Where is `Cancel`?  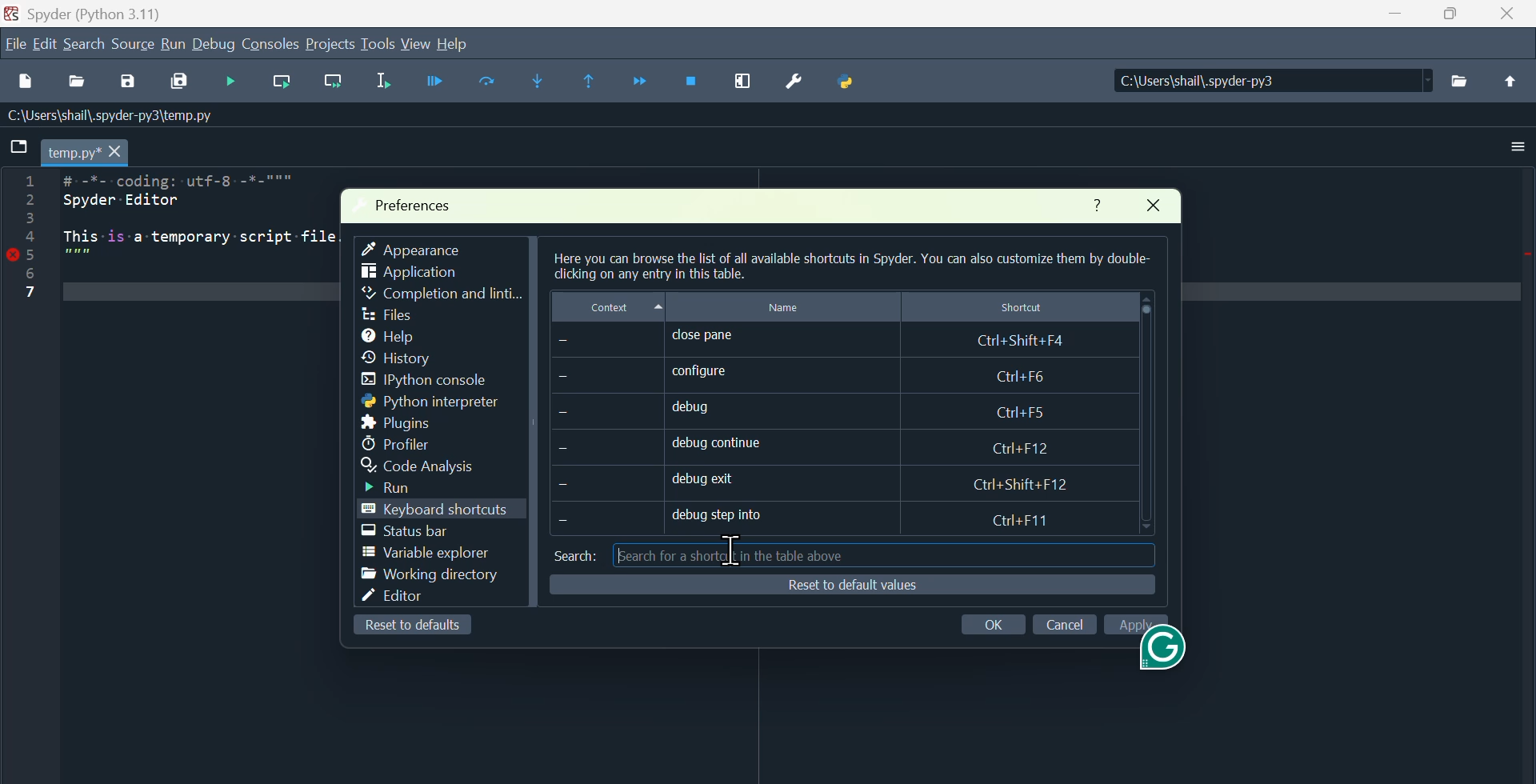 Cancel is located at coordinates (1064, 626).